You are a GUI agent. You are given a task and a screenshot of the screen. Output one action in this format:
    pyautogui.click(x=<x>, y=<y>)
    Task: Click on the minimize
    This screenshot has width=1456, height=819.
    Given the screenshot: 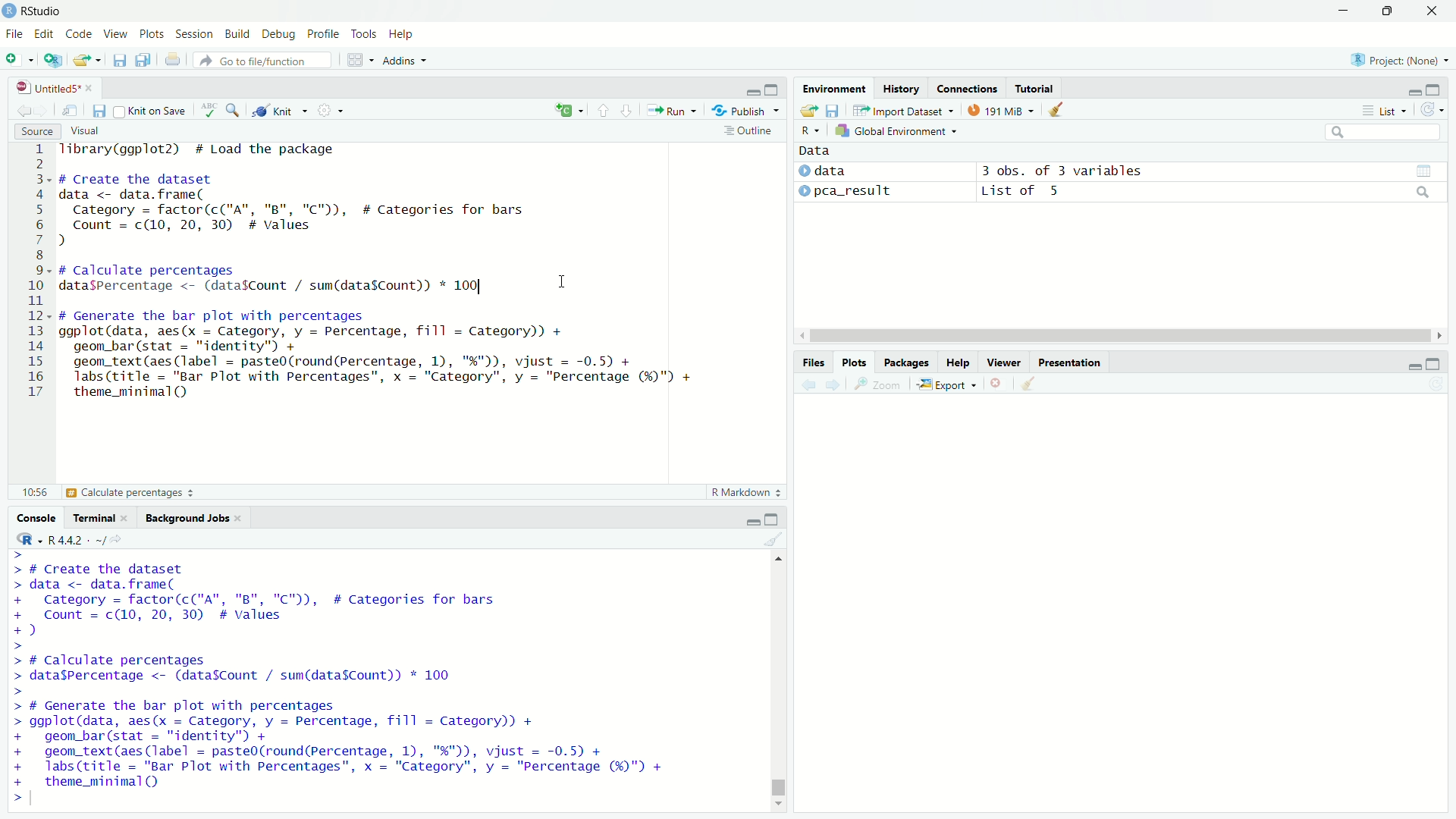 What is the action you would take?
    pyautogui.click(x=752, y=89)
    